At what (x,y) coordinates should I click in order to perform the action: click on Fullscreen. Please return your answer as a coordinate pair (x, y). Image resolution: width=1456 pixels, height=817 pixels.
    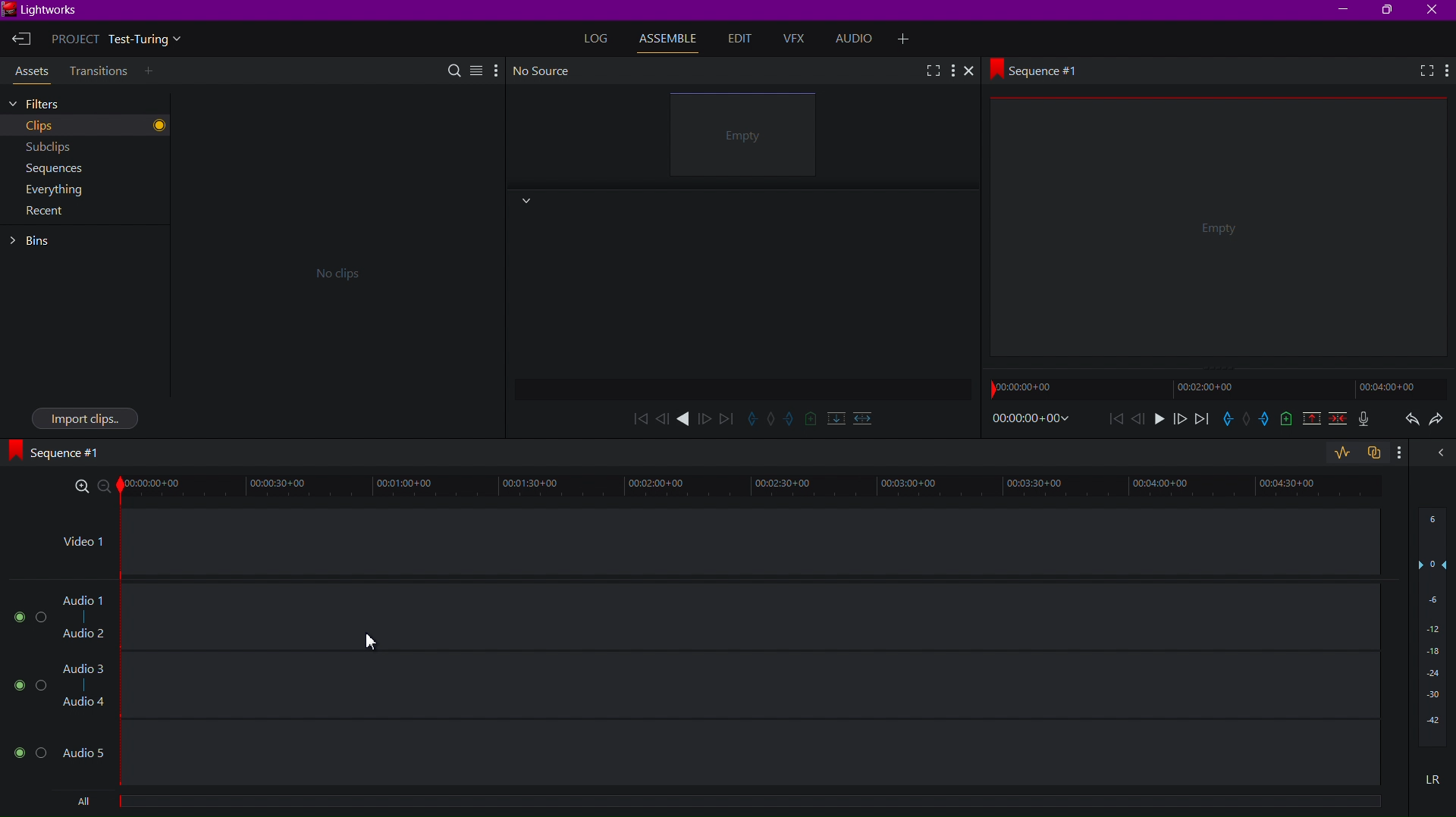
    Looking at the image, I should click on (1422, 72).